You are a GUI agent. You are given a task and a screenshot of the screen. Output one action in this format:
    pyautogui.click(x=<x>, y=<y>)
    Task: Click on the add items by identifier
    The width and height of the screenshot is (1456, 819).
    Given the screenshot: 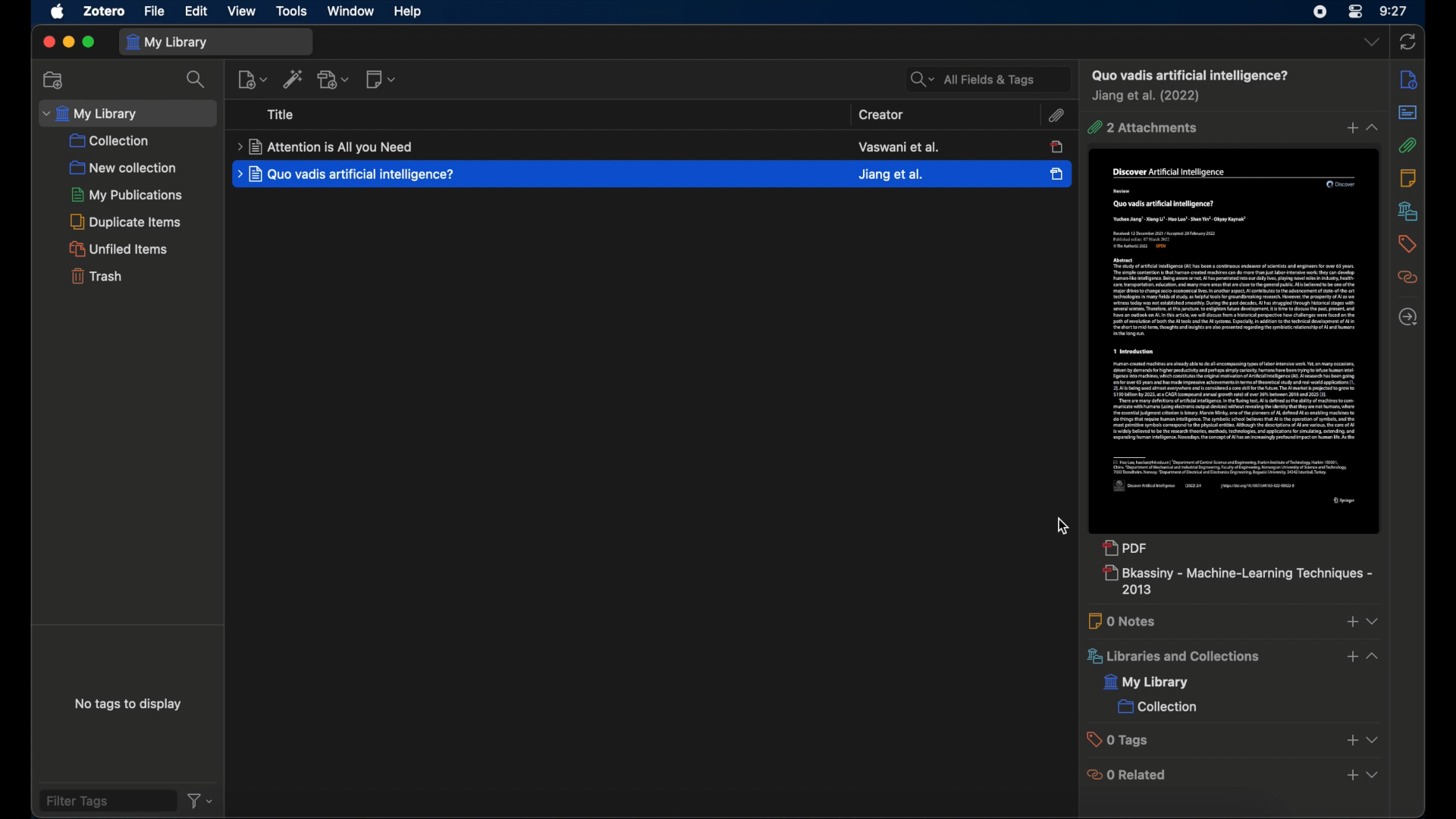 What is the action you would take?
    pyautogui.click(x=293, y=78)
    